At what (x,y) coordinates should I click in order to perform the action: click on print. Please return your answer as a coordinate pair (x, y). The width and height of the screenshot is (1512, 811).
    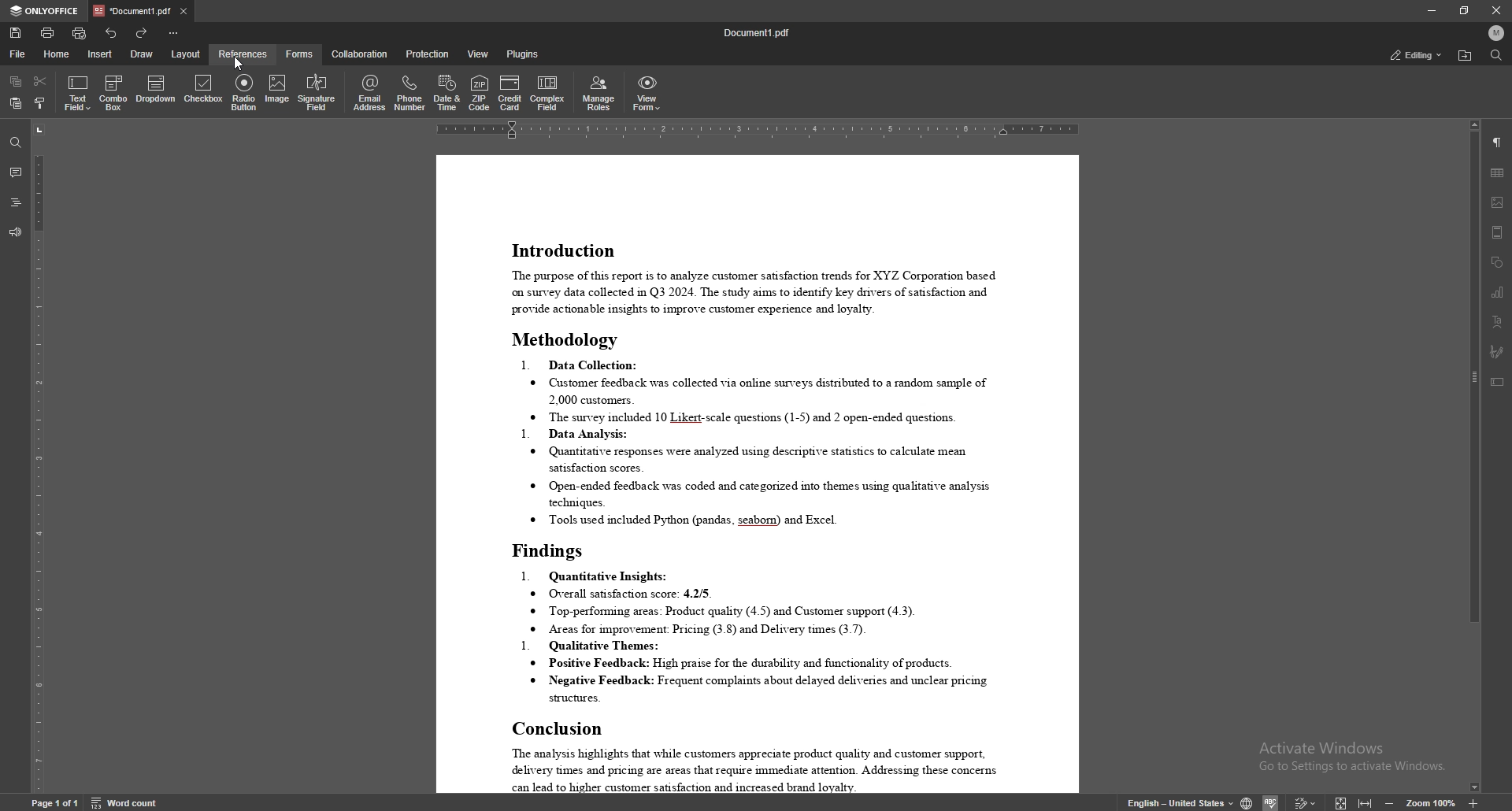
    Looking at the image, I should click on (48, 32).